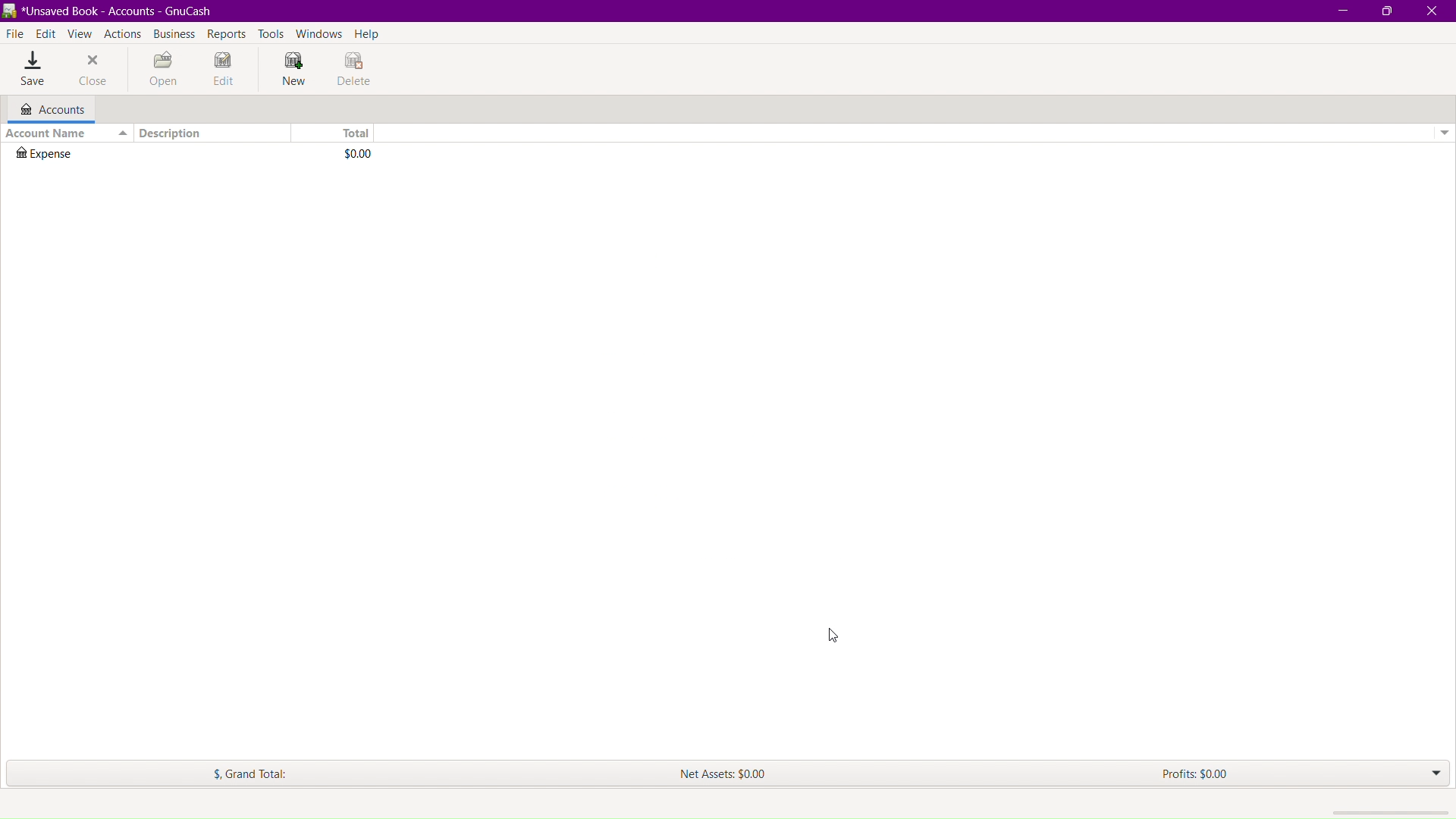 The height and width of the screenshot is (819, 1456). Describe the element at coordinates (369, 32) in the screenshot. I see `Help` at that location.